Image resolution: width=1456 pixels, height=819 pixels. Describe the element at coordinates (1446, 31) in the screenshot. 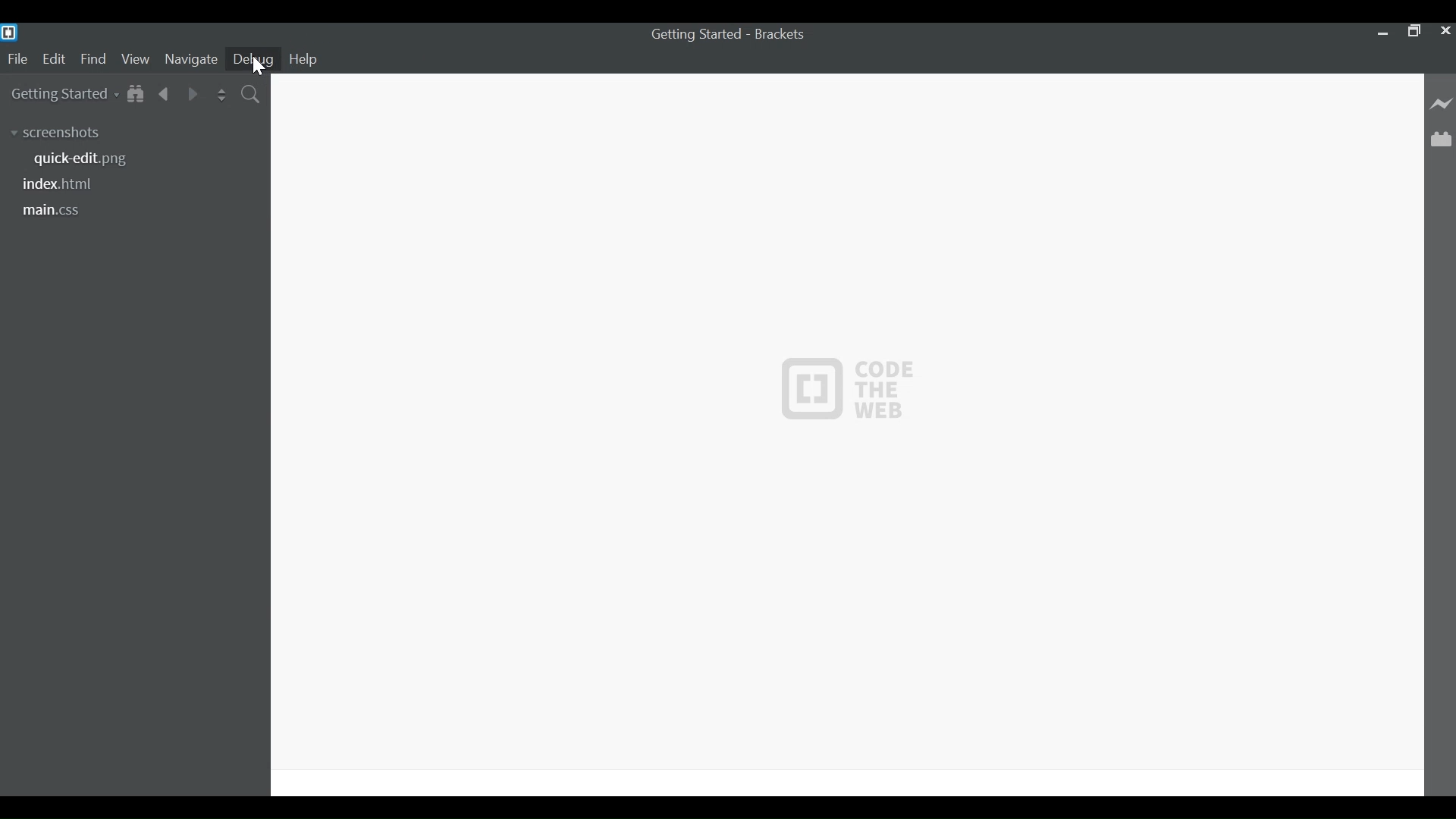

I see `Close` at that location.